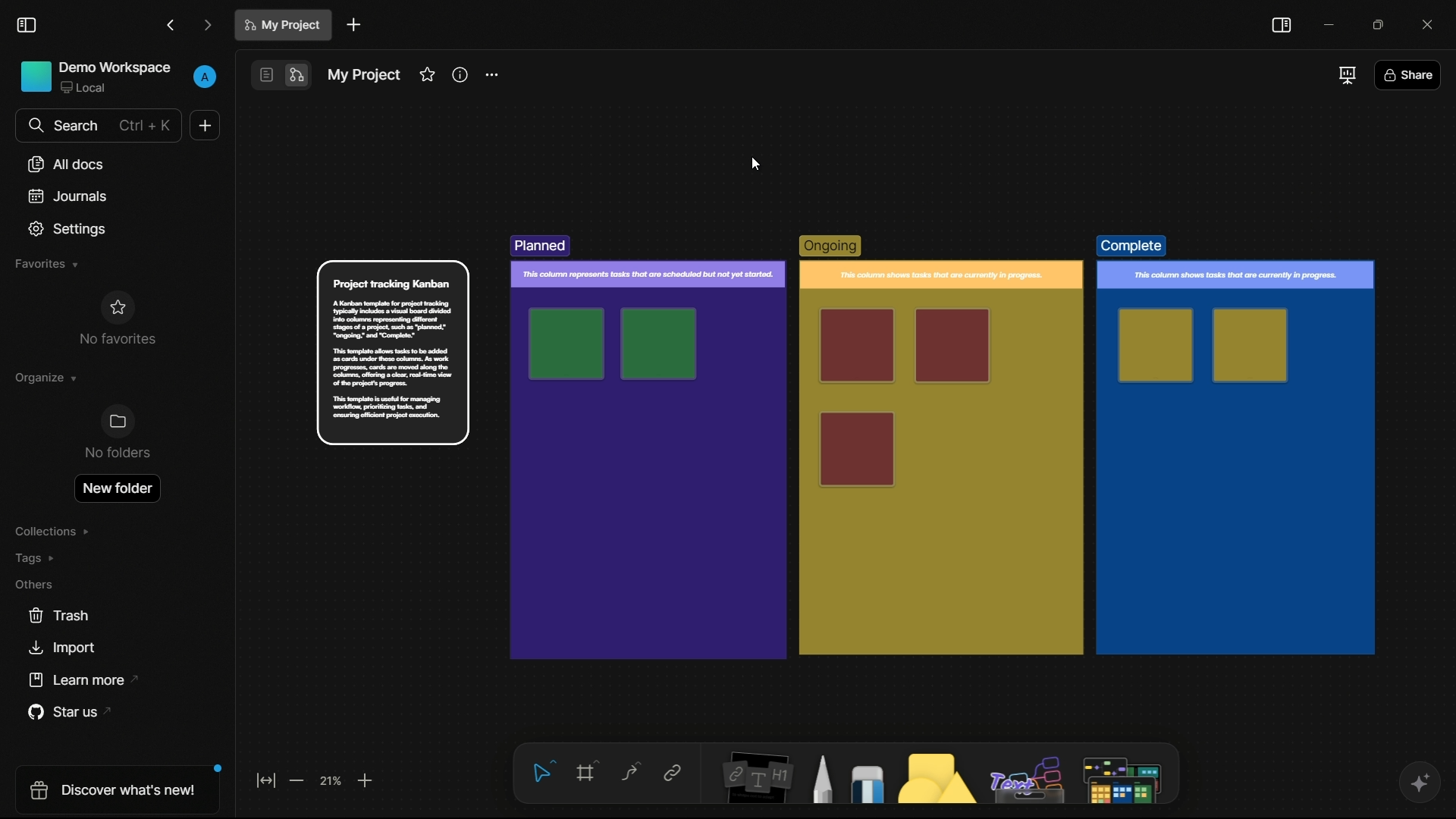 Image resolution: width=1456 pixels, height=819 pixels. I want to click on organize, so click(44, 378).